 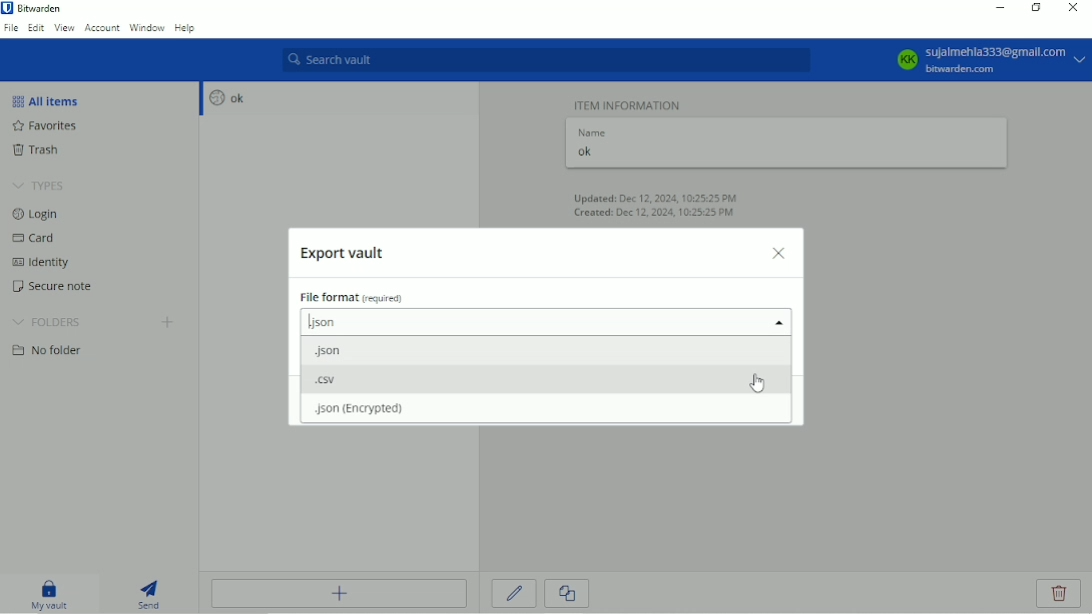 I want to click on View, so click(x=64, y=27).